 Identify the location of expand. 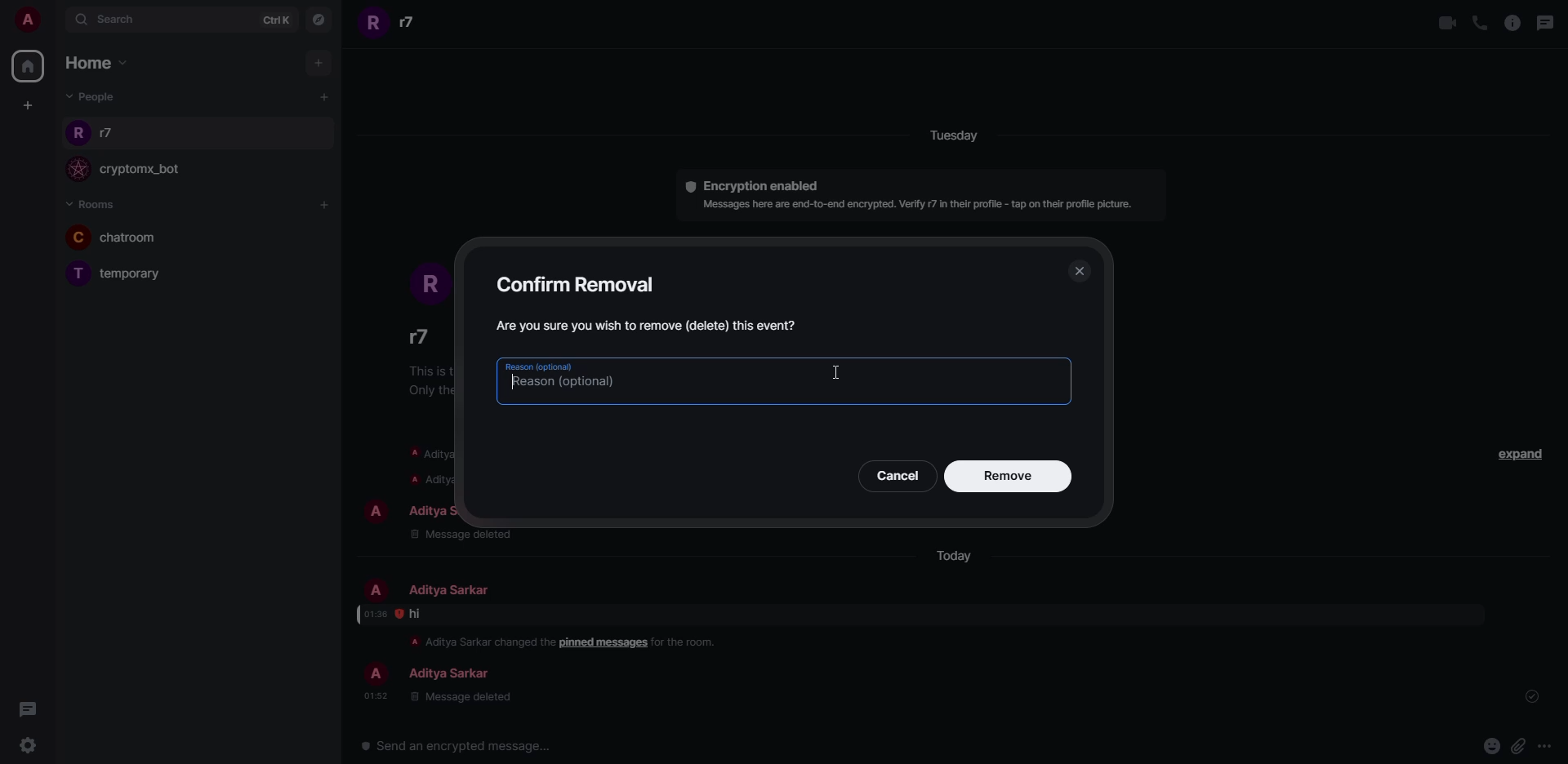
(1518, 453).